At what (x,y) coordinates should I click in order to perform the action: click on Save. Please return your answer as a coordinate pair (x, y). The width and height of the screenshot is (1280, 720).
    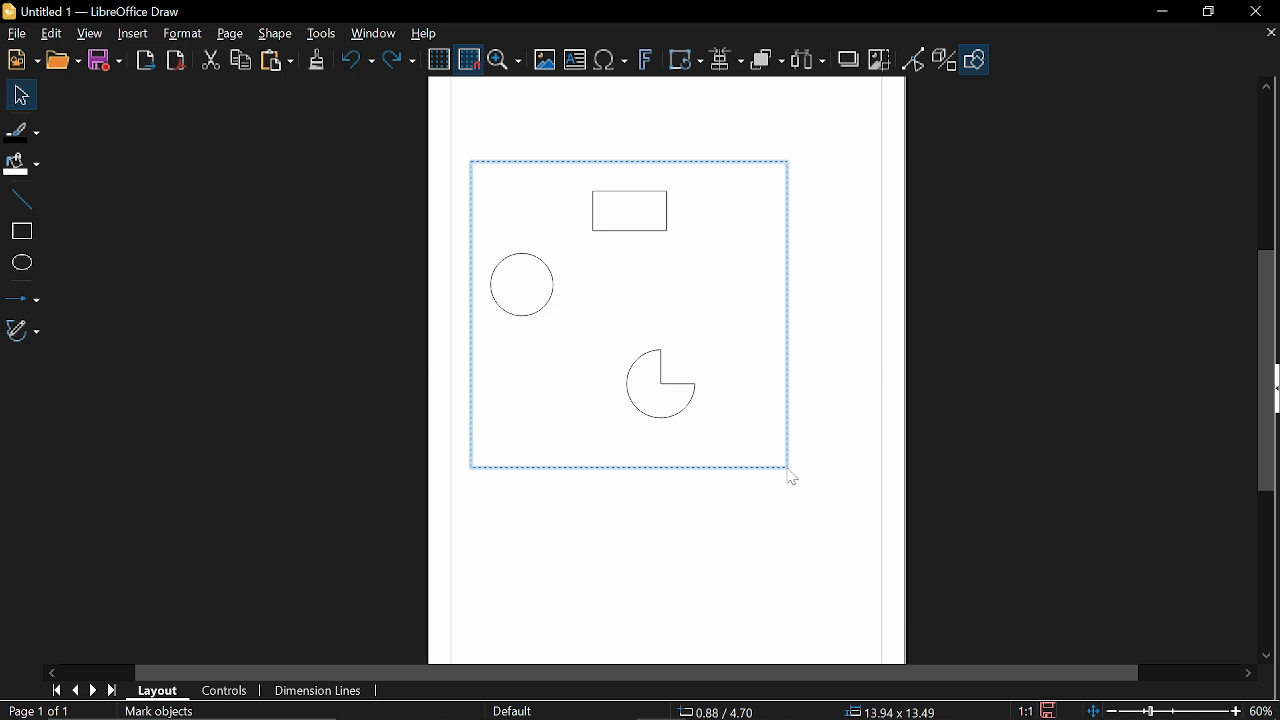
    Looking at the image, I should click on (1046, 709).